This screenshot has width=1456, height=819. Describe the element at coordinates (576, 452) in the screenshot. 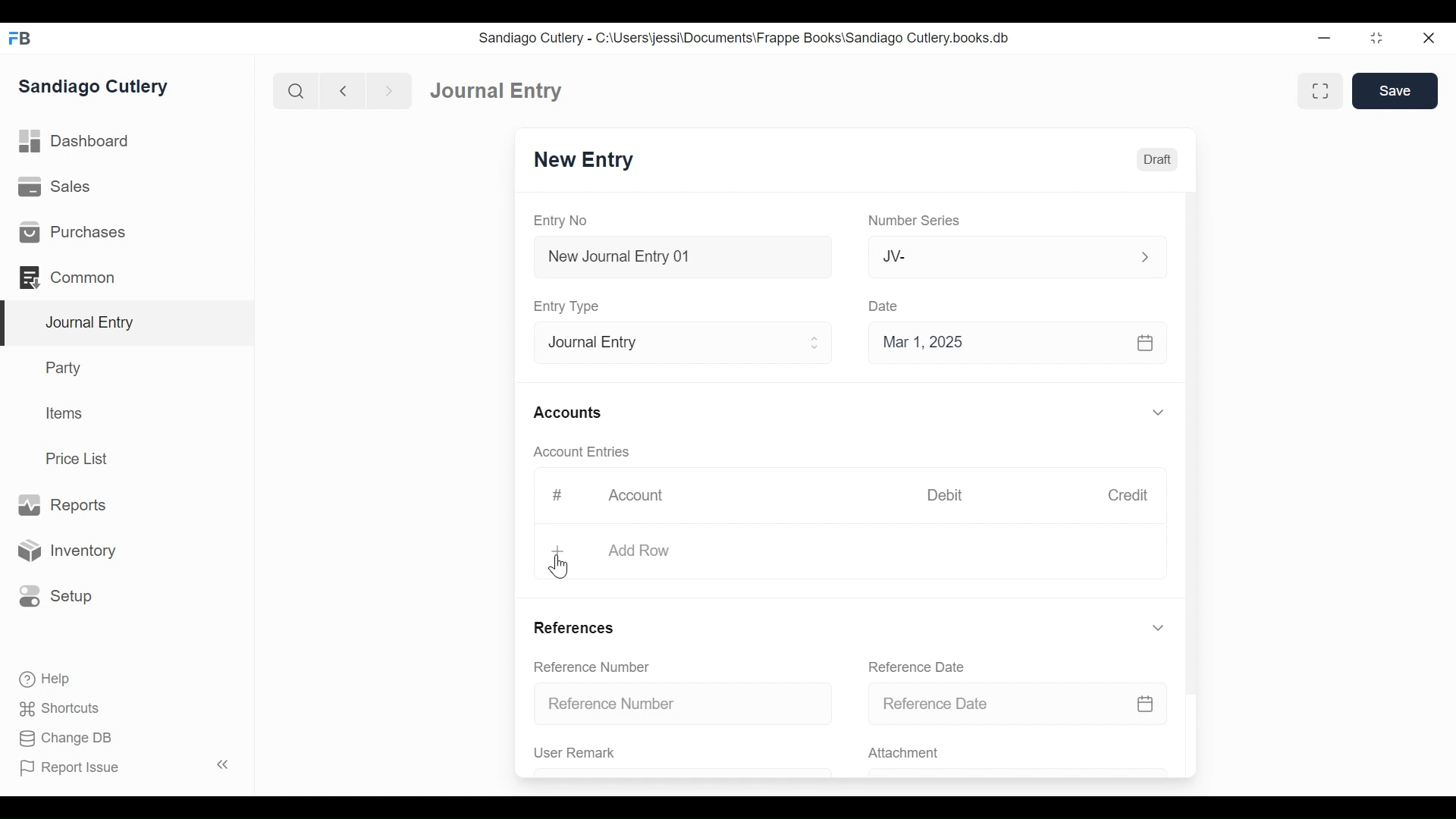

I see `Account Entries` at that location.